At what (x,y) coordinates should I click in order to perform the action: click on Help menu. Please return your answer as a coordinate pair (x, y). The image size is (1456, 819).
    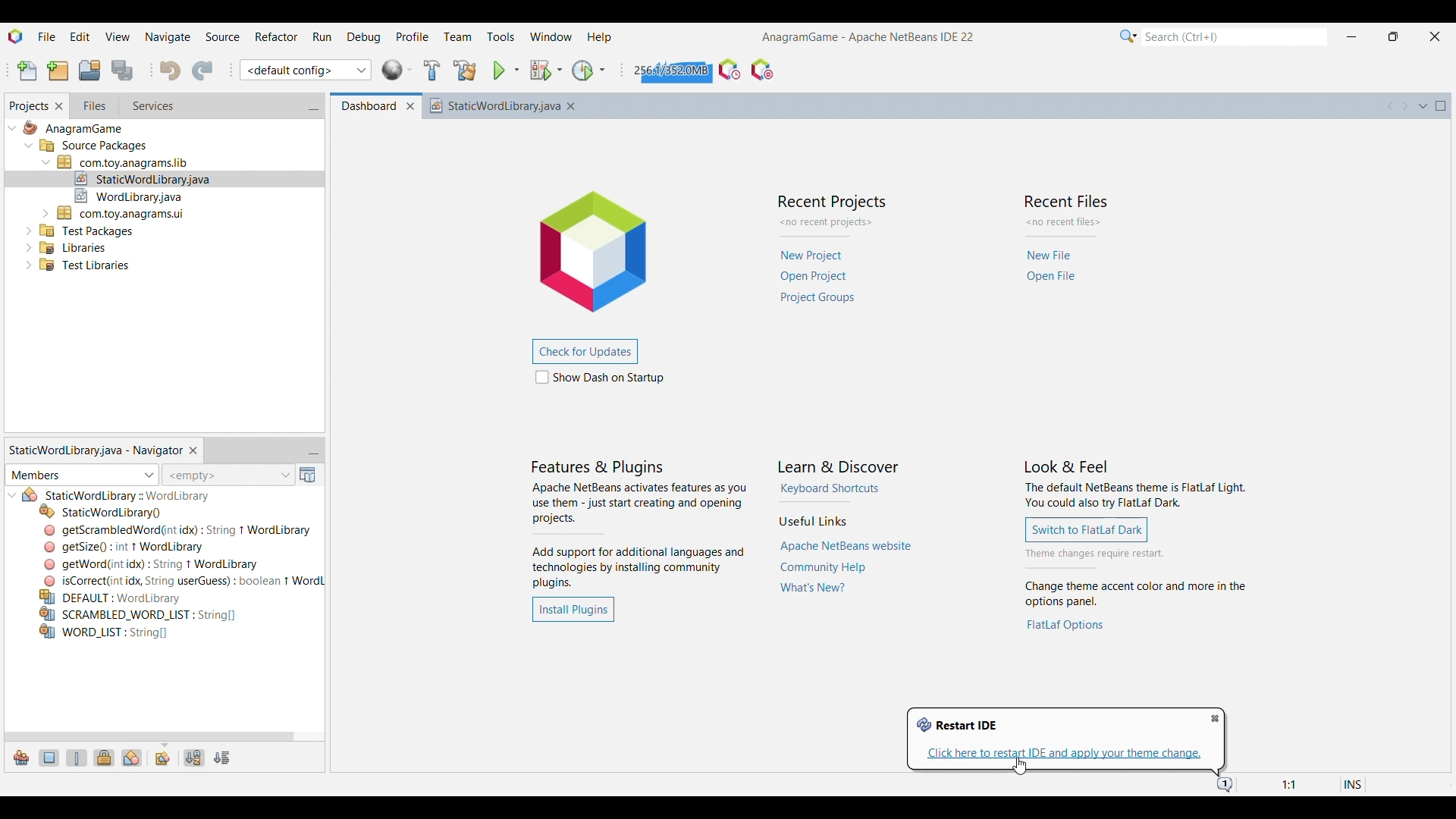
    Looking at the image, I should click on (600, 39).